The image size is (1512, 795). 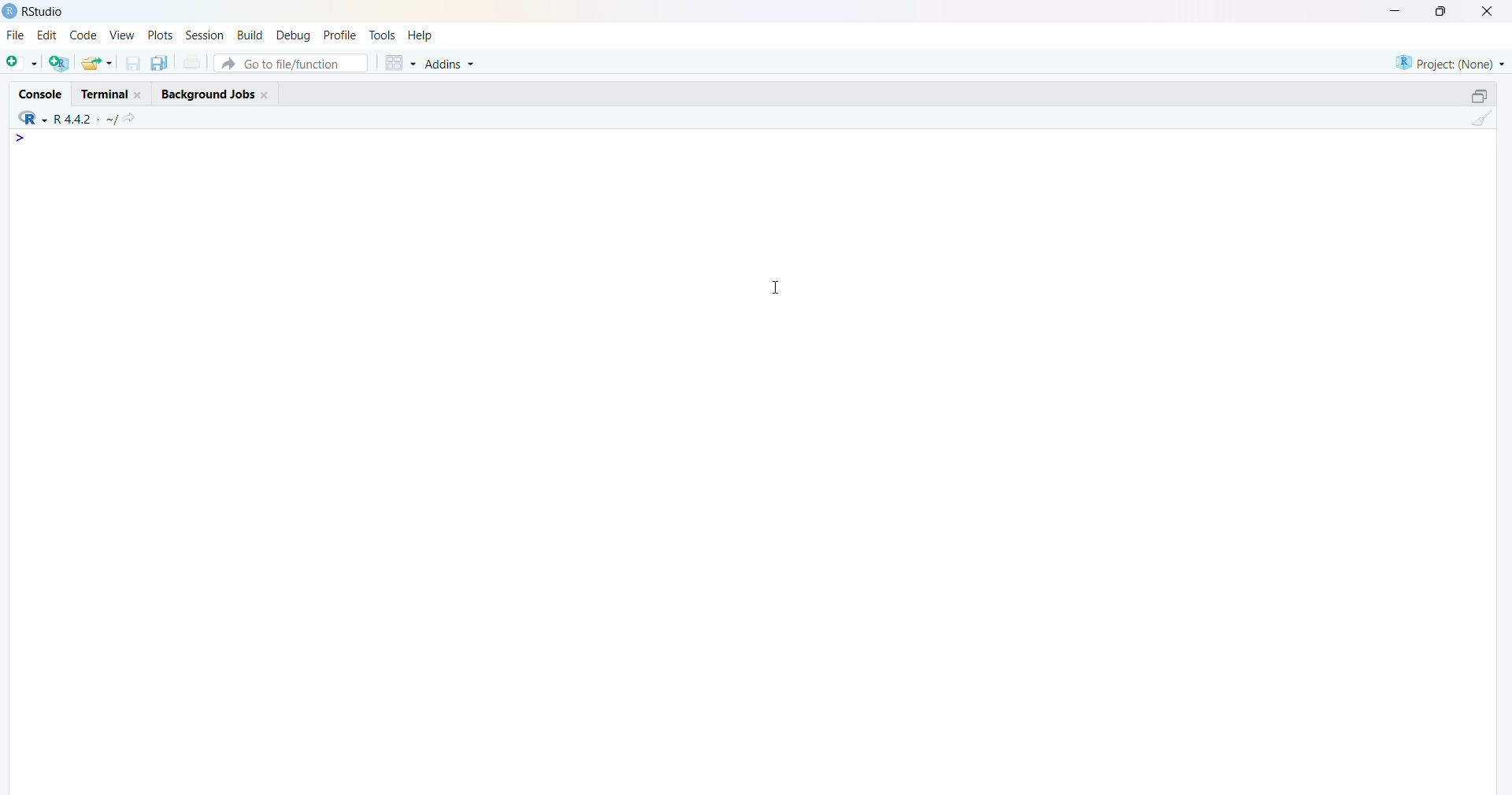 What do you see at coordinates (421, 35) in the screenshot?
I see `Help` at bounding box center [421, 35].